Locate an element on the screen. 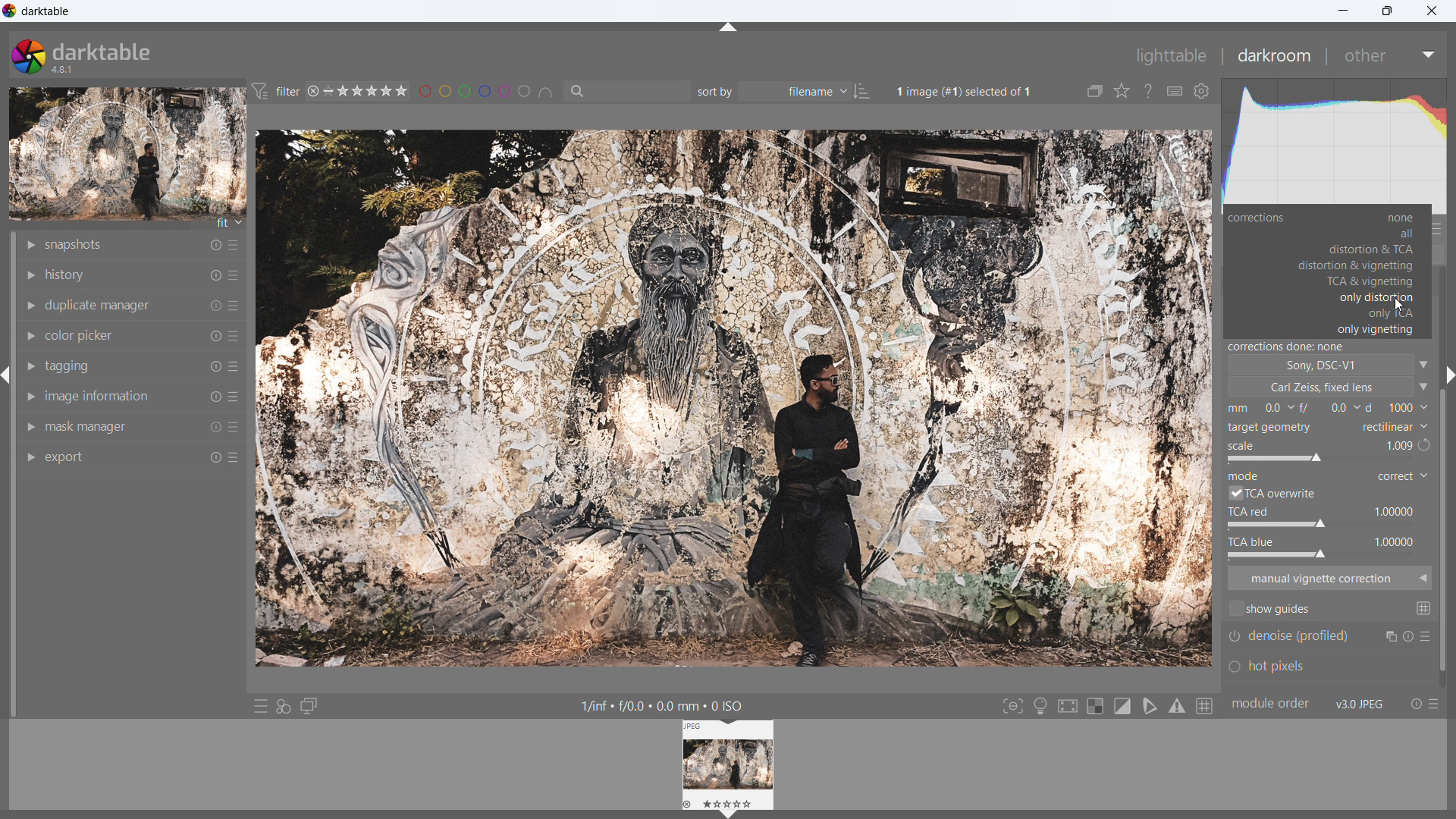 This screenshot has height=819, width=1456. tca red is located at coordinates (1324, 518).